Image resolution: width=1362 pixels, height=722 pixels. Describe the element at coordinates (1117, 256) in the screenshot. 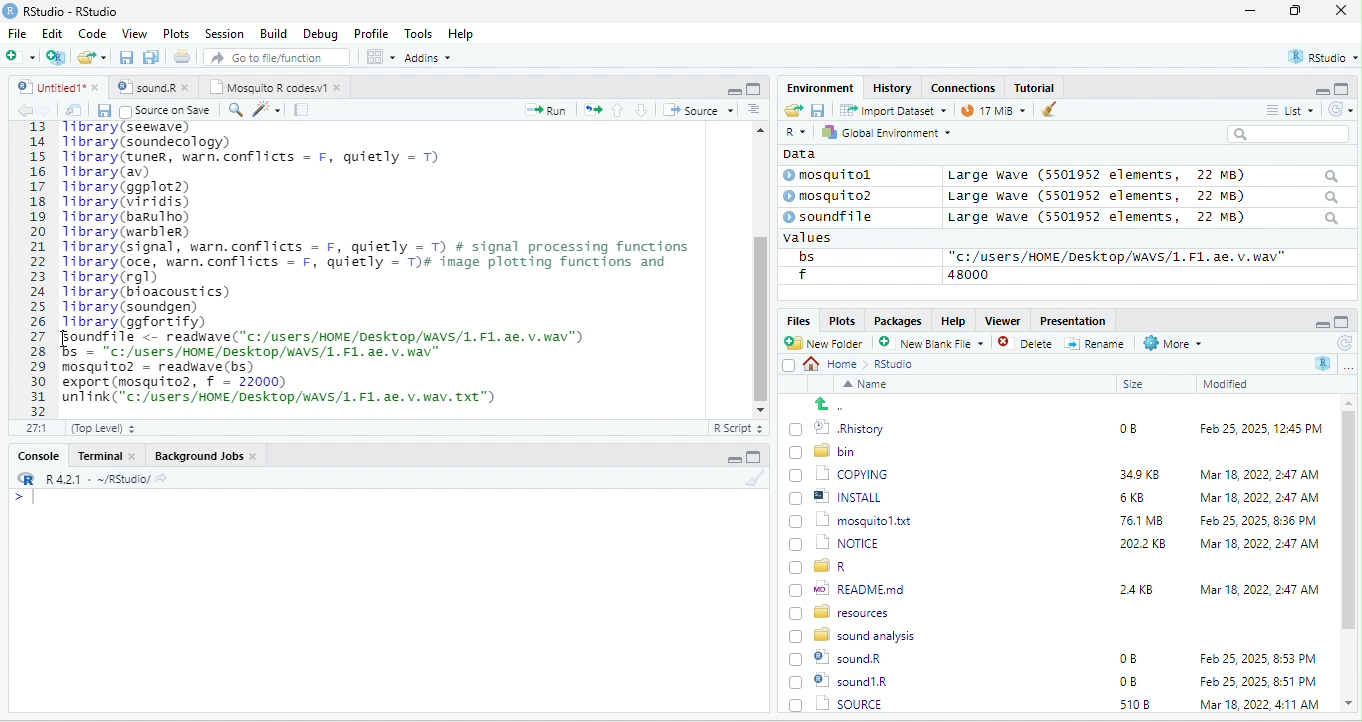

I see `“c:/users/HOME /Desktop/WAVS/1.F1. ae. v.wav"` at that location.